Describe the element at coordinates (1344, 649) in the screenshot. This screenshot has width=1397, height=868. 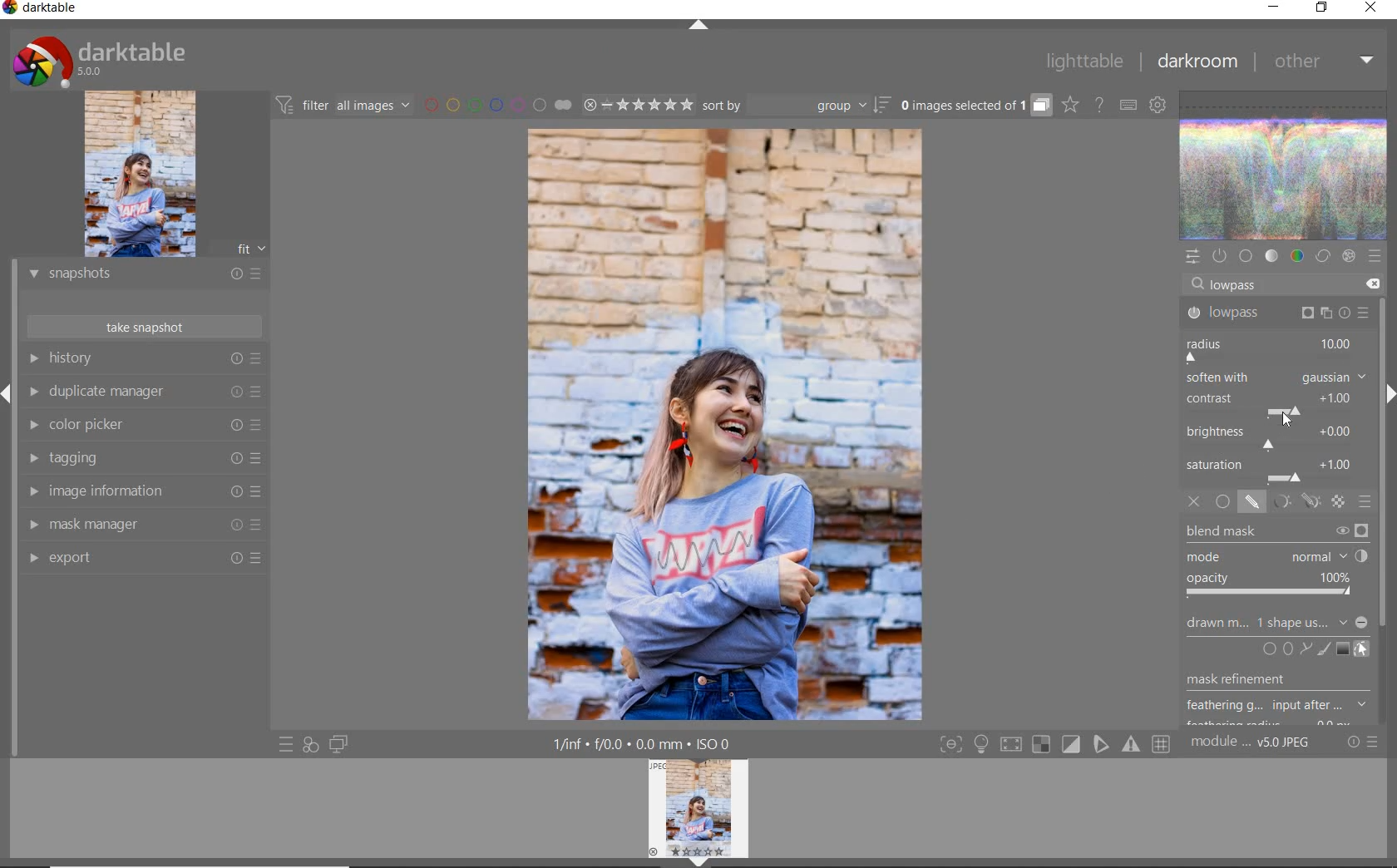
I see `add gradient` at that location.